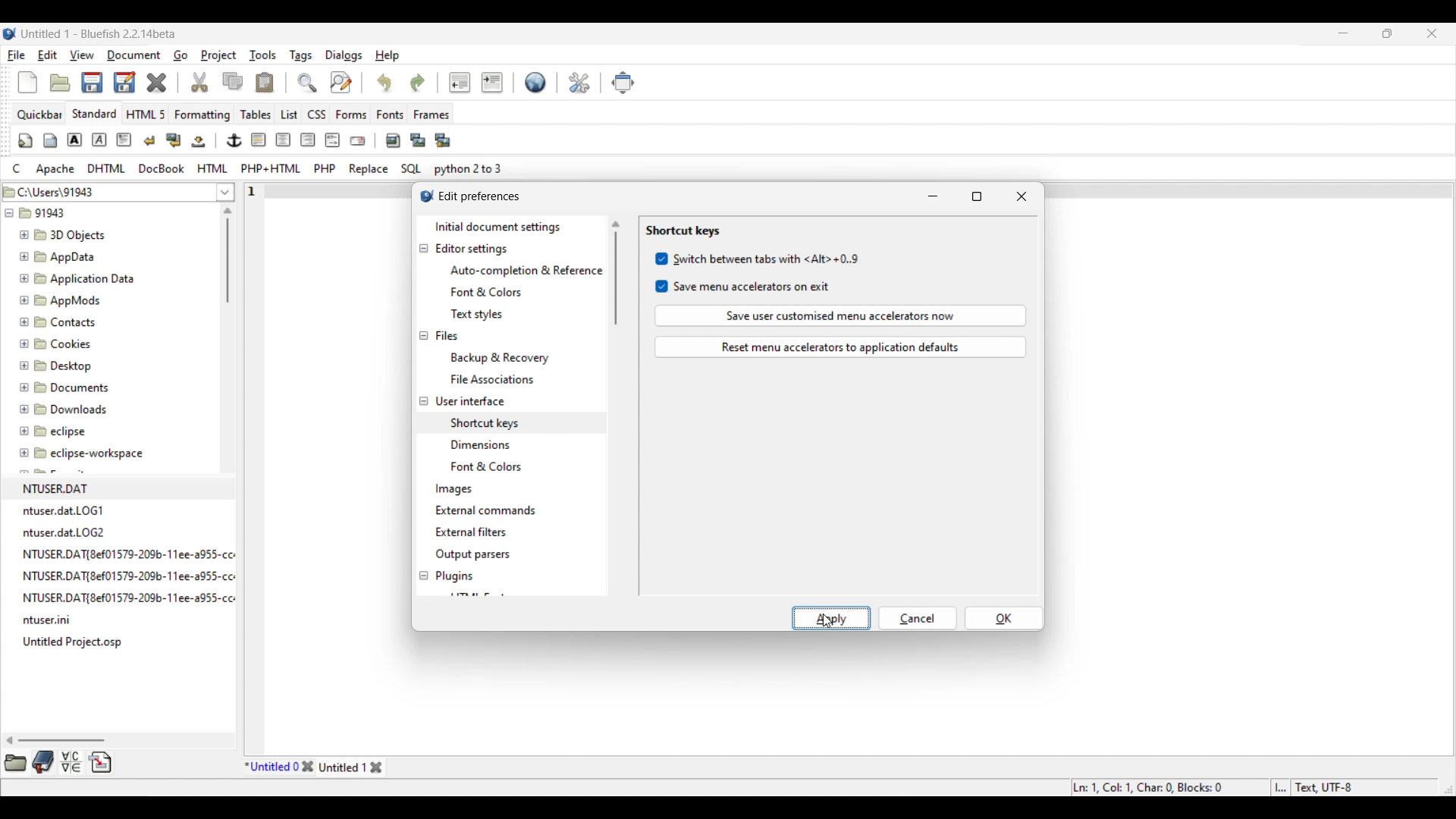  I want to click on 3D Objects, so click(64, 235).